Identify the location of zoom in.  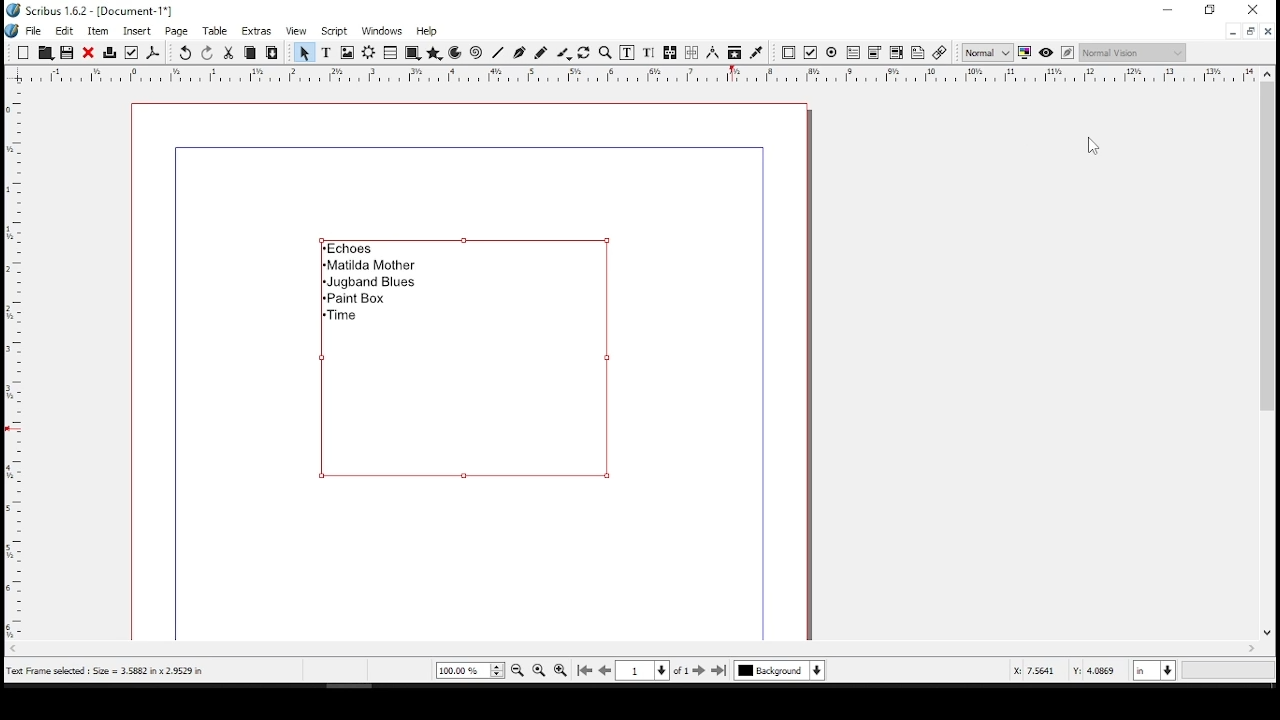
(559, 672).